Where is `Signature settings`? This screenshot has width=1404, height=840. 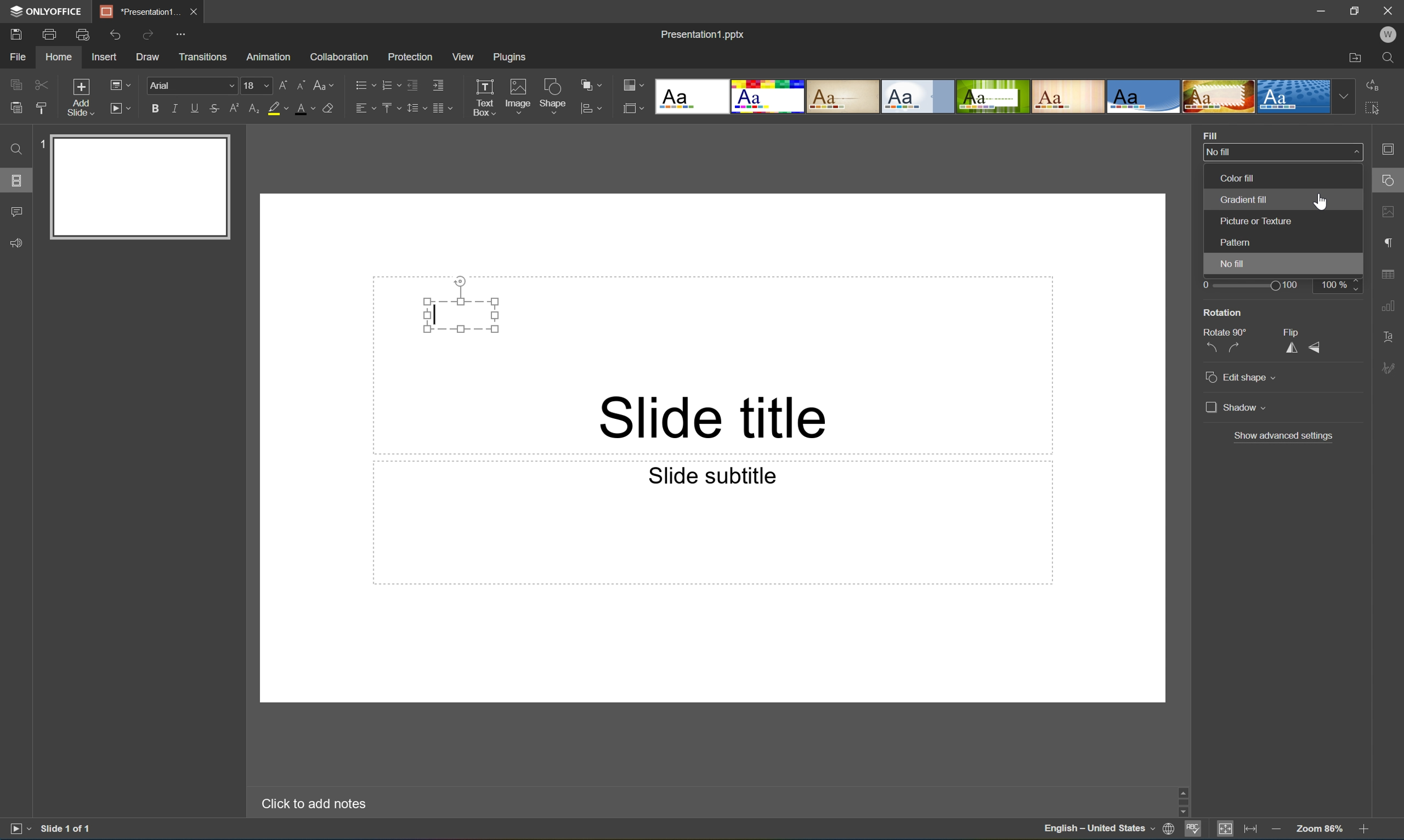 Signature settings is located at coordinates (1391, 367).